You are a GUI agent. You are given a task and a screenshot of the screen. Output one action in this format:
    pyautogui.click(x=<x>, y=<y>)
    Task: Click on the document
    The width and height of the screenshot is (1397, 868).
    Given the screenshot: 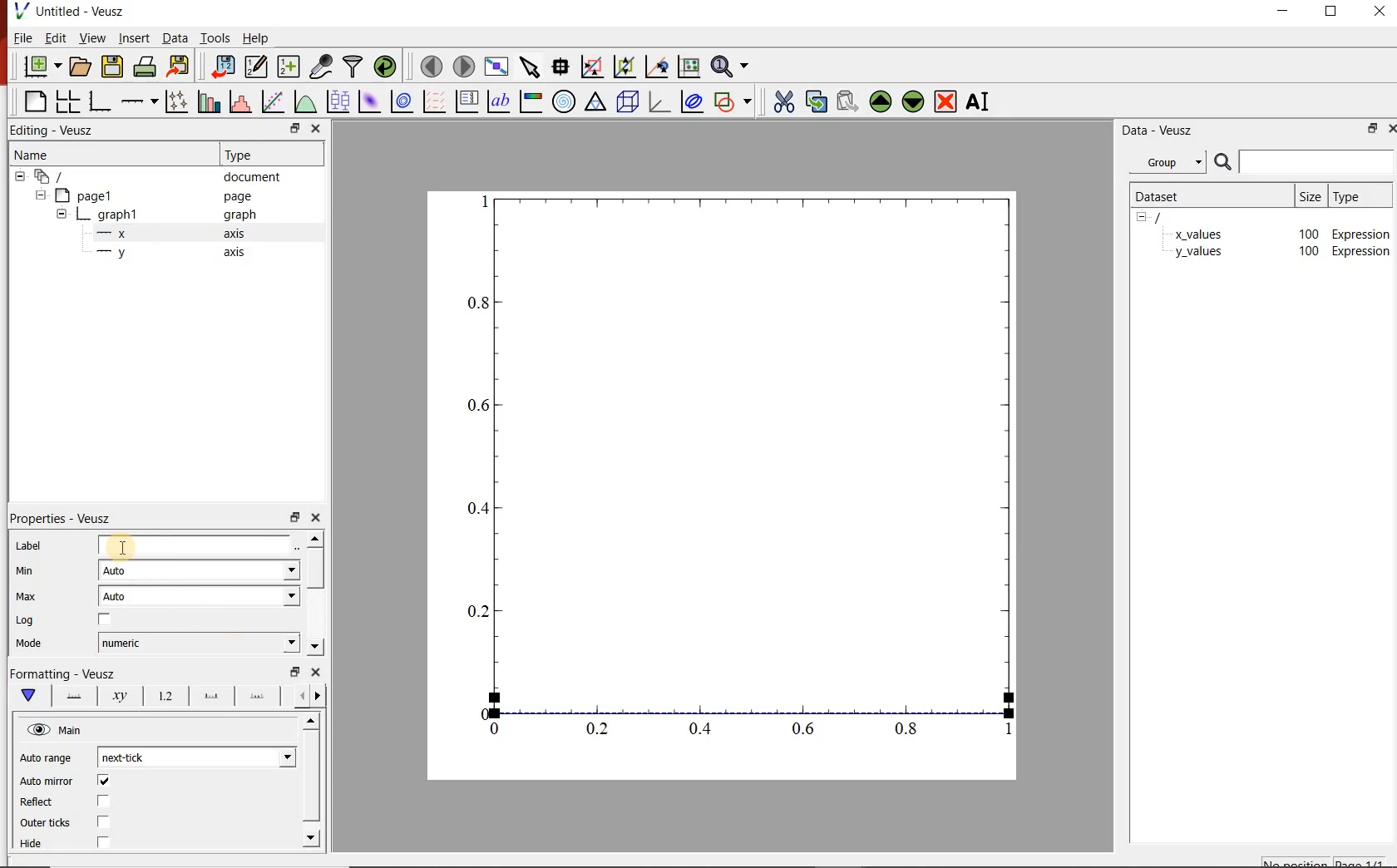 What is the action you would take?
    pyautogui.click(x=250, y=177)
    